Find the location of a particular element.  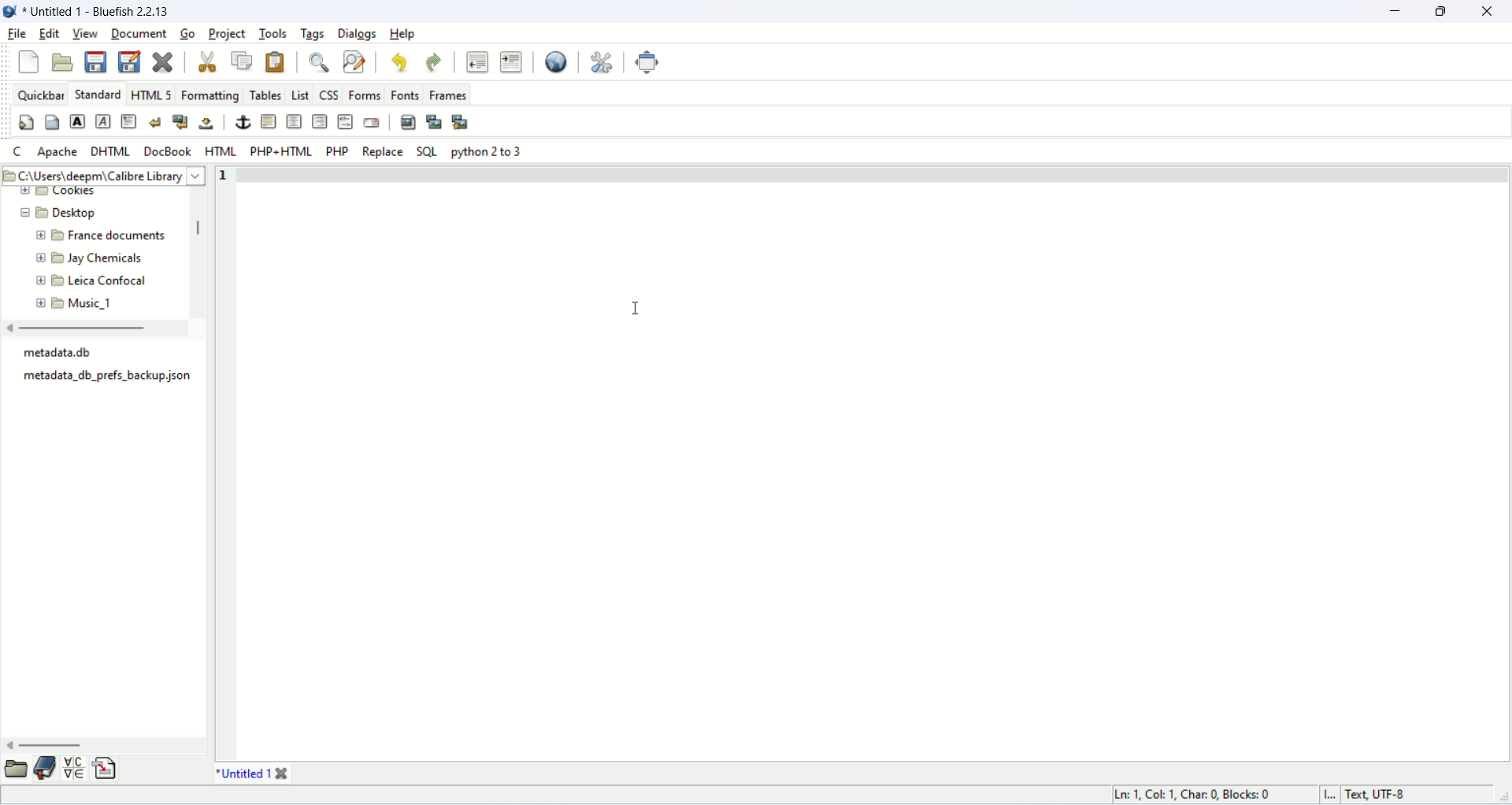

find is located at coordinates (319, 64).